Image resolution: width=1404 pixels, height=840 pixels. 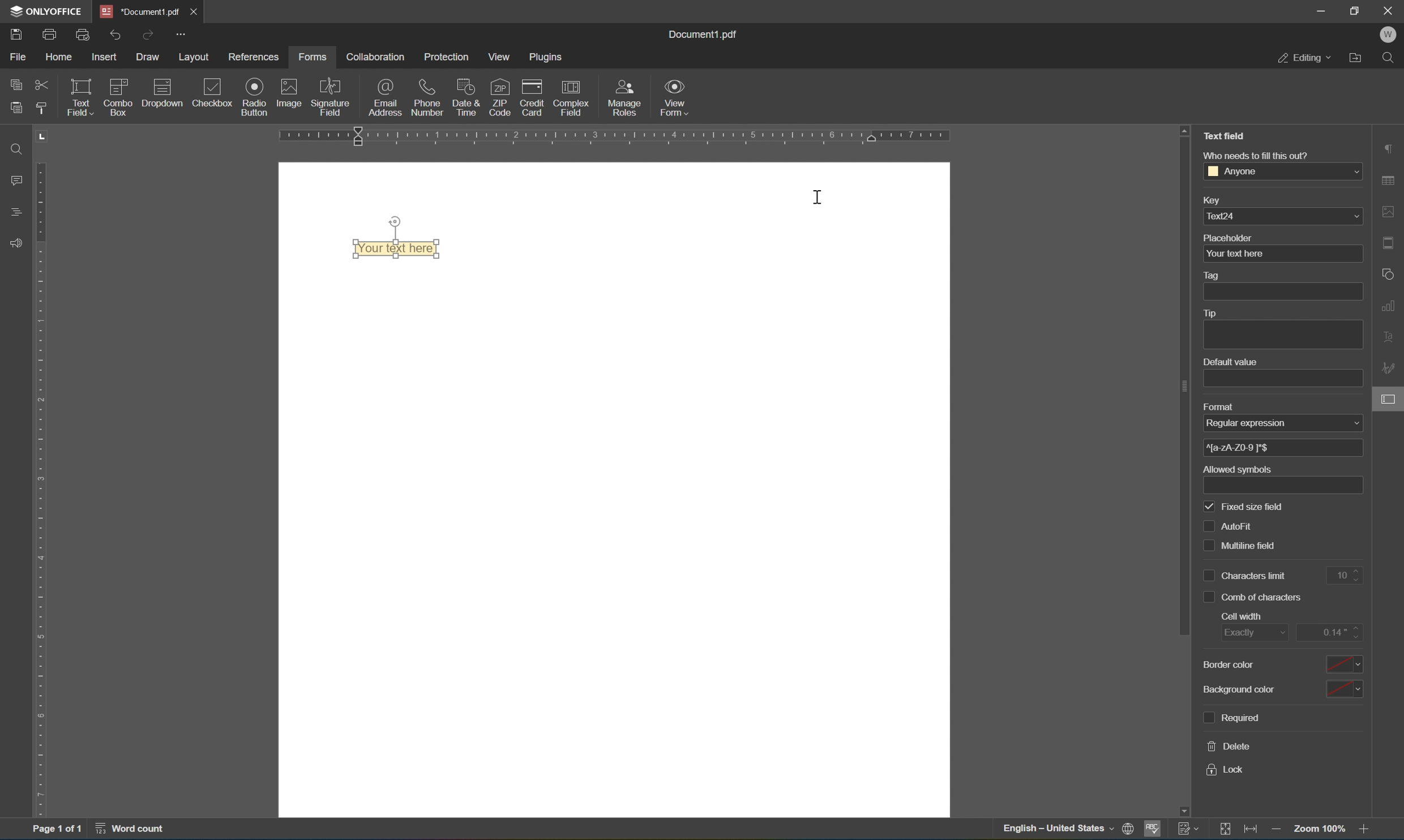 I want to click on 10, so click(x=1348, y=576).